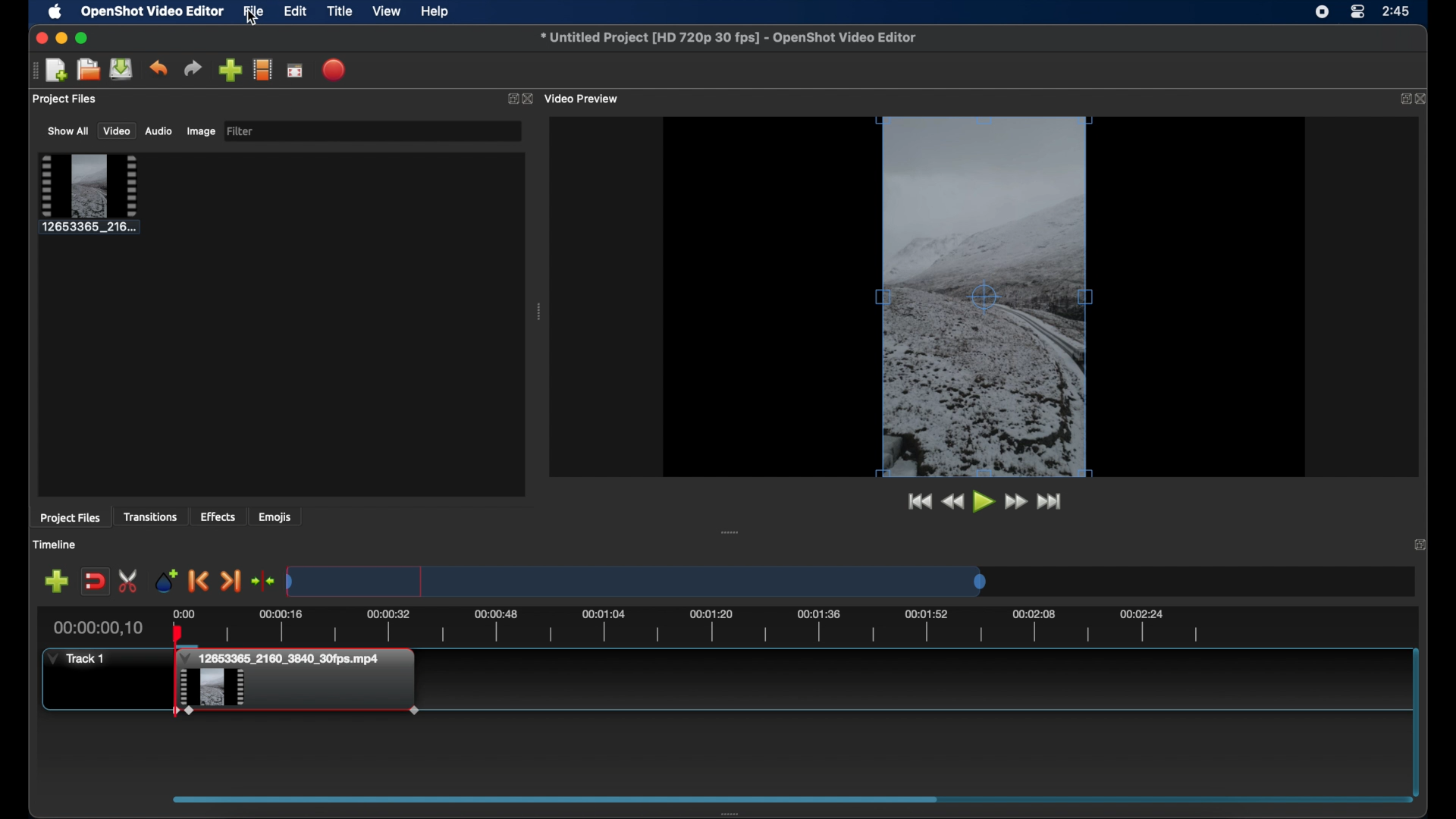  What do you see at coordinates (240, 131) in the screenshot?
I see `filter` at bounding box center [240, 131].